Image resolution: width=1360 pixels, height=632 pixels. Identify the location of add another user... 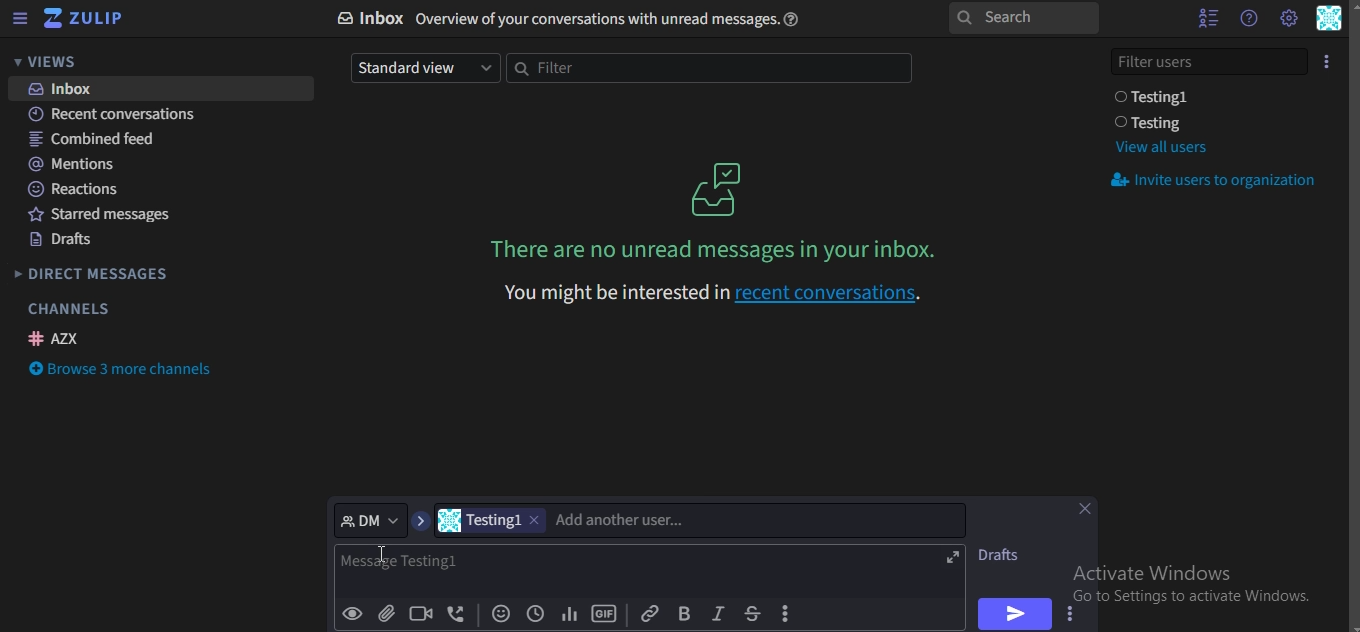
(622, 520).